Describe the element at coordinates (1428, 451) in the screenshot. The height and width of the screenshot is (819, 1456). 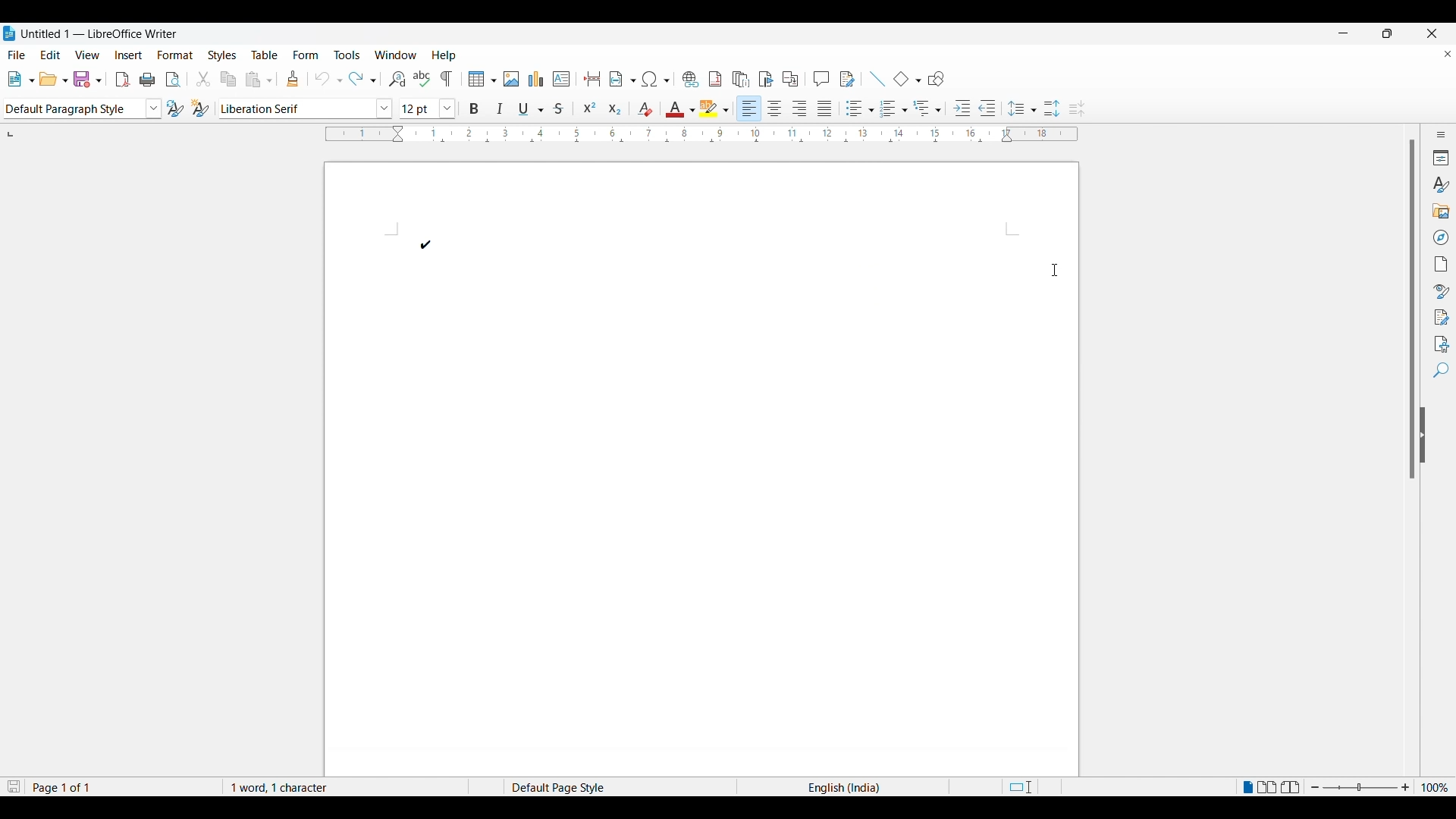
I see `collapse` at that location.